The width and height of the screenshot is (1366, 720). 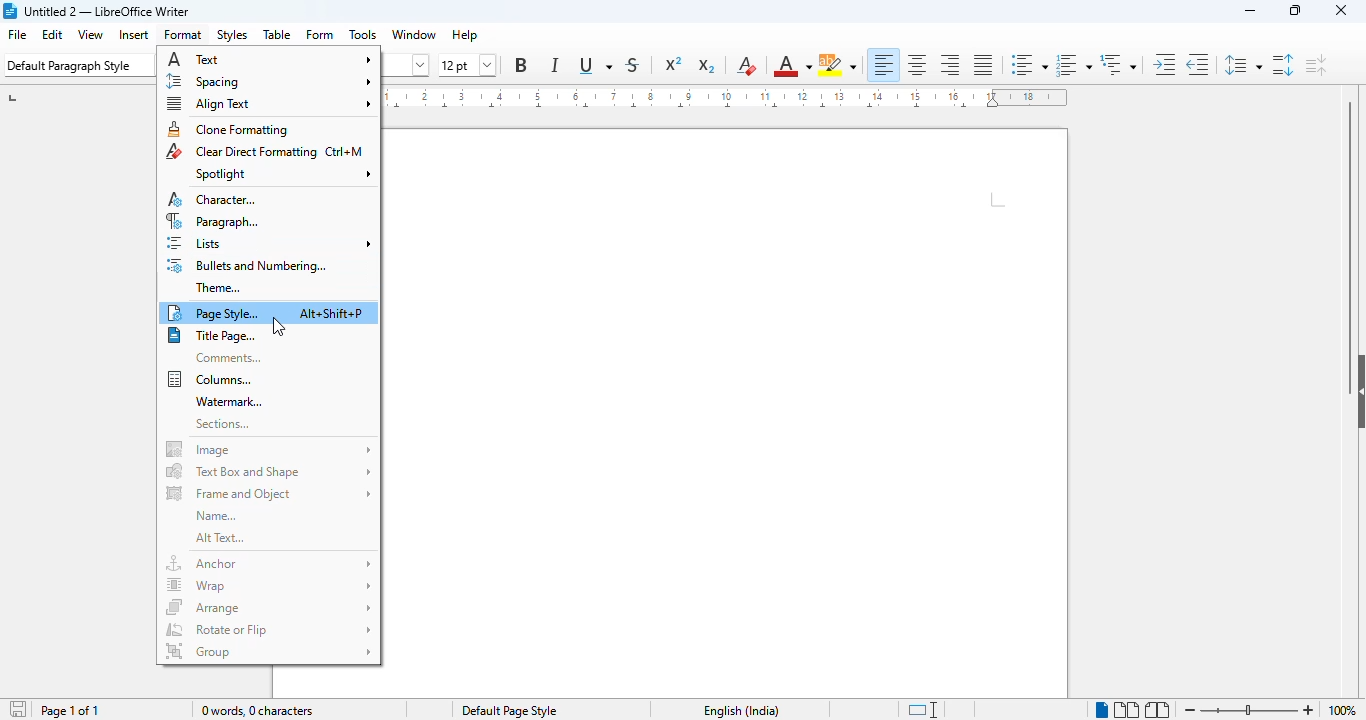 I want to click on maximize, so click(x=1295, y=10).